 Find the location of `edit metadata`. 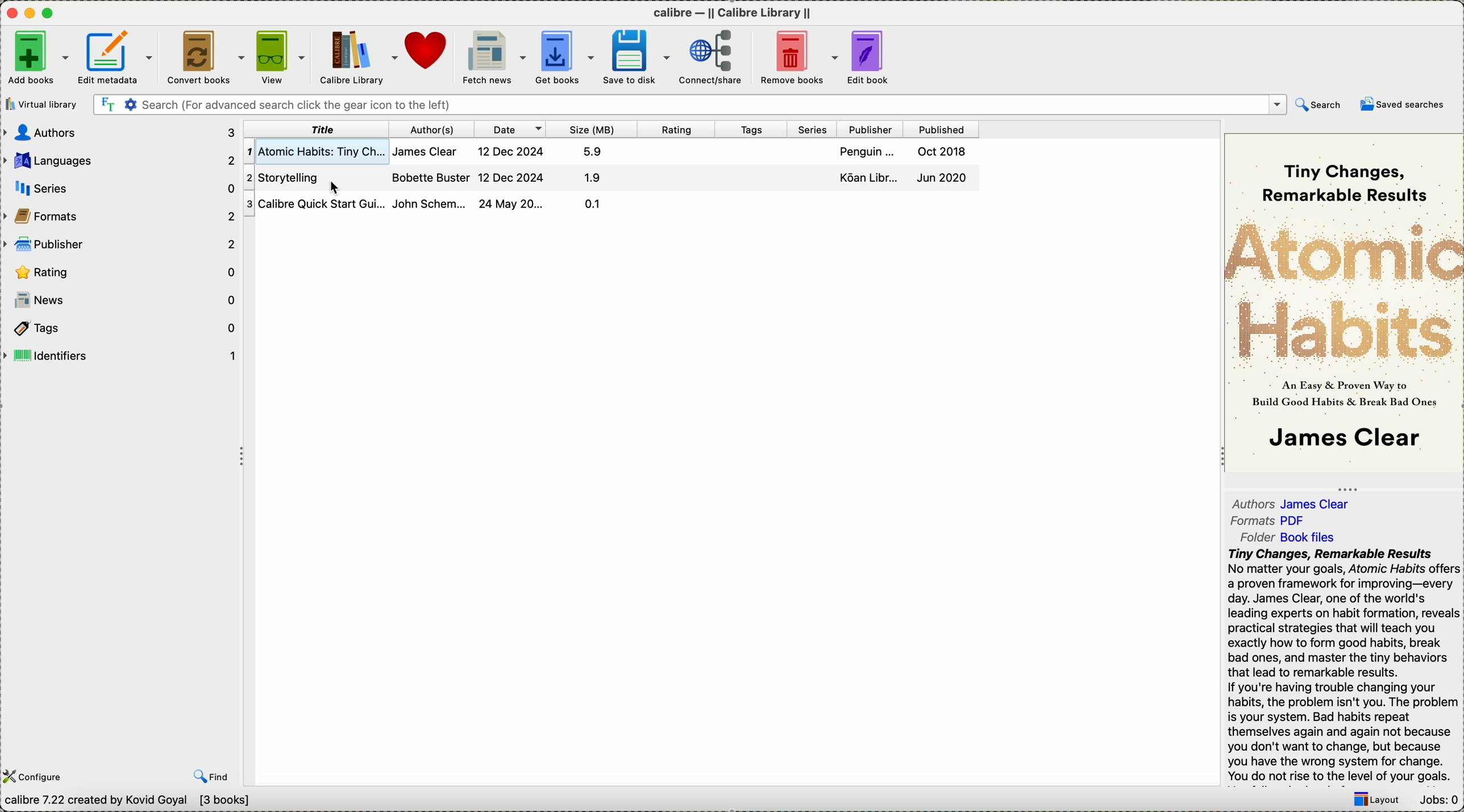

edit metadata is located at coordinates (118, 57).